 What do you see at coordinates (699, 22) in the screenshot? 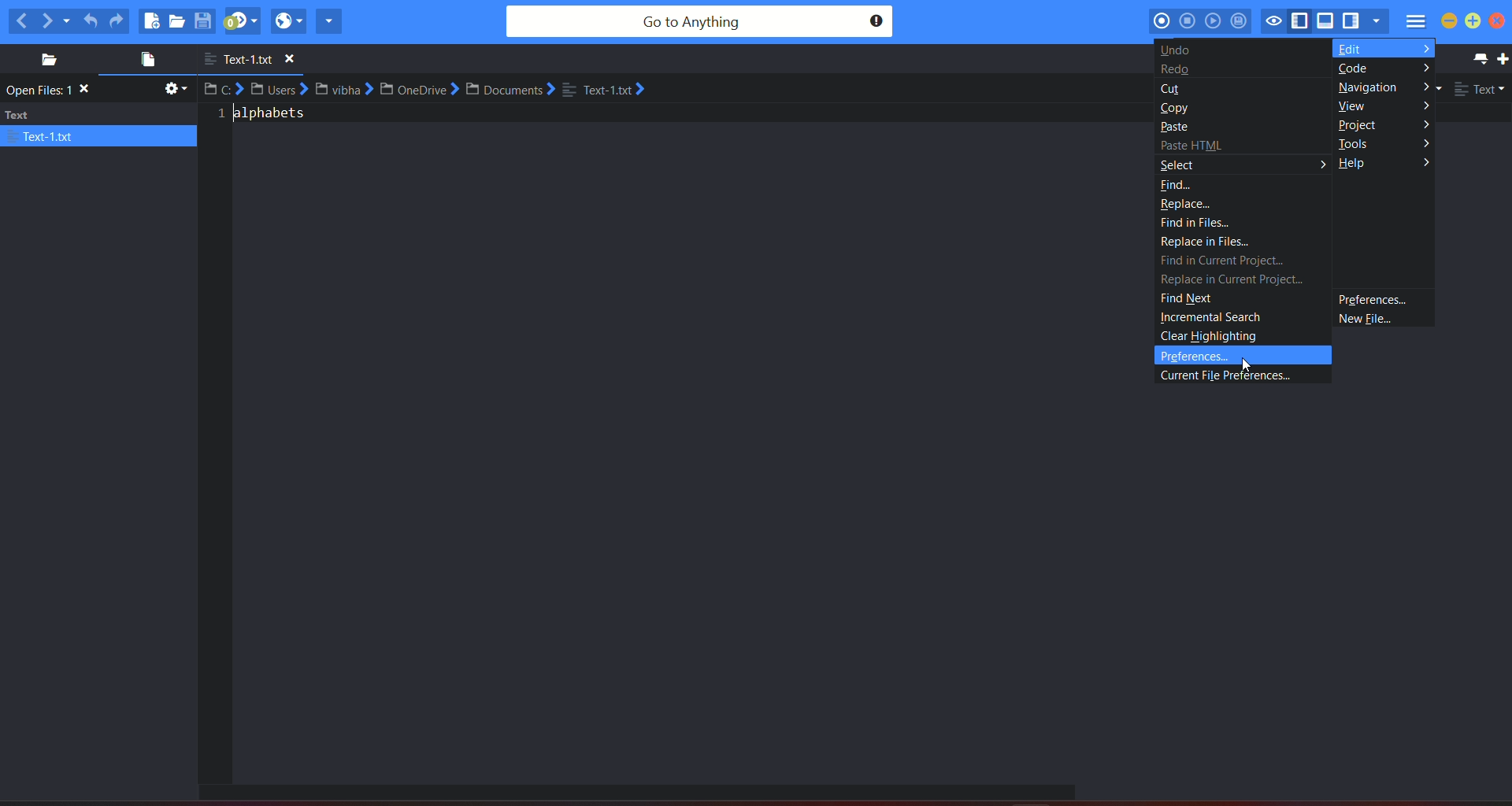
I see `search bar` at bounding box center [699, 22].